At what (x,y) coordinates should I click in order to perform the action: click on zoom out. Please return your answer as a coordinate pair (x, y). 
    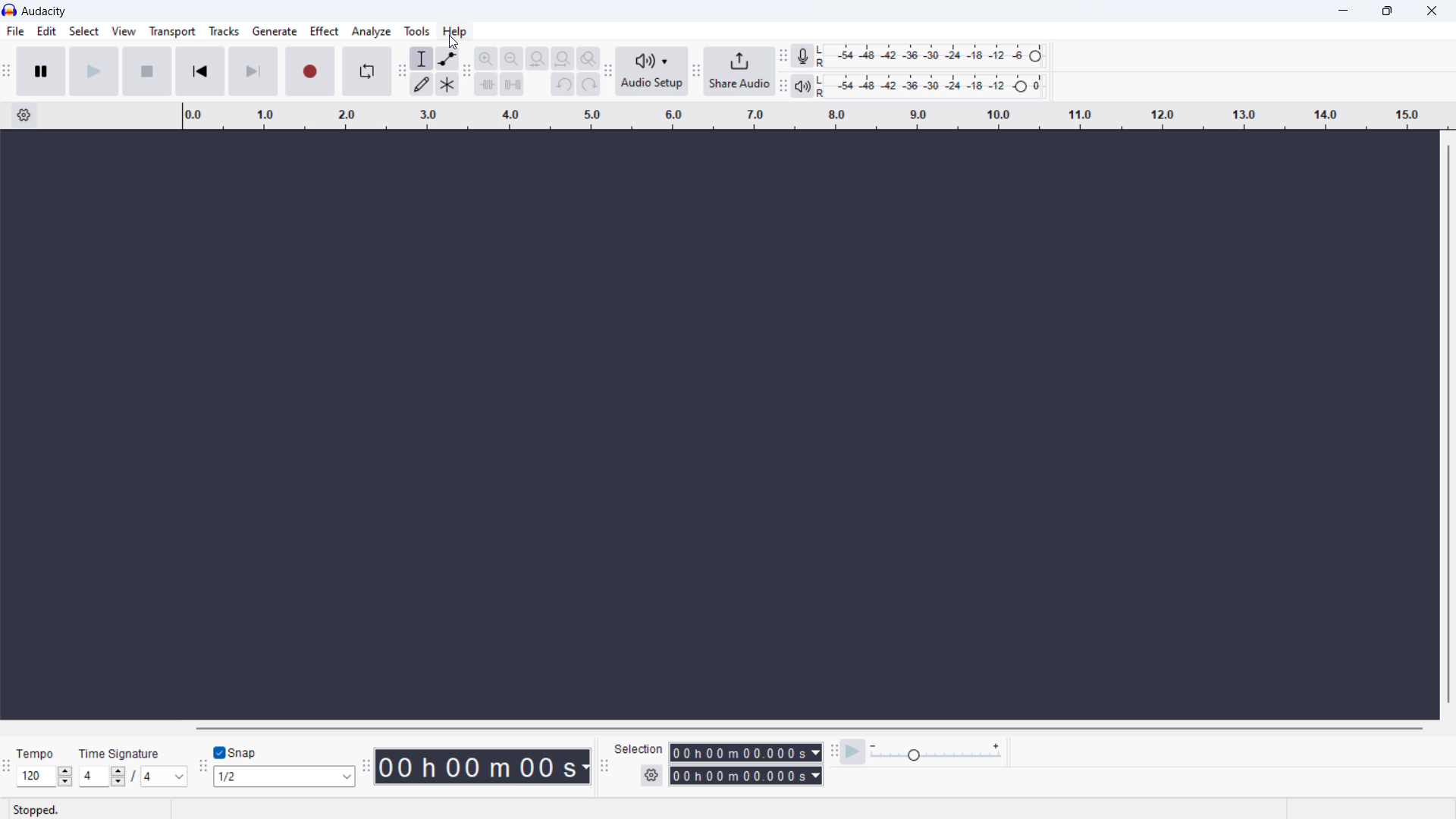
    Looking at the image, I should click on (511, 58).